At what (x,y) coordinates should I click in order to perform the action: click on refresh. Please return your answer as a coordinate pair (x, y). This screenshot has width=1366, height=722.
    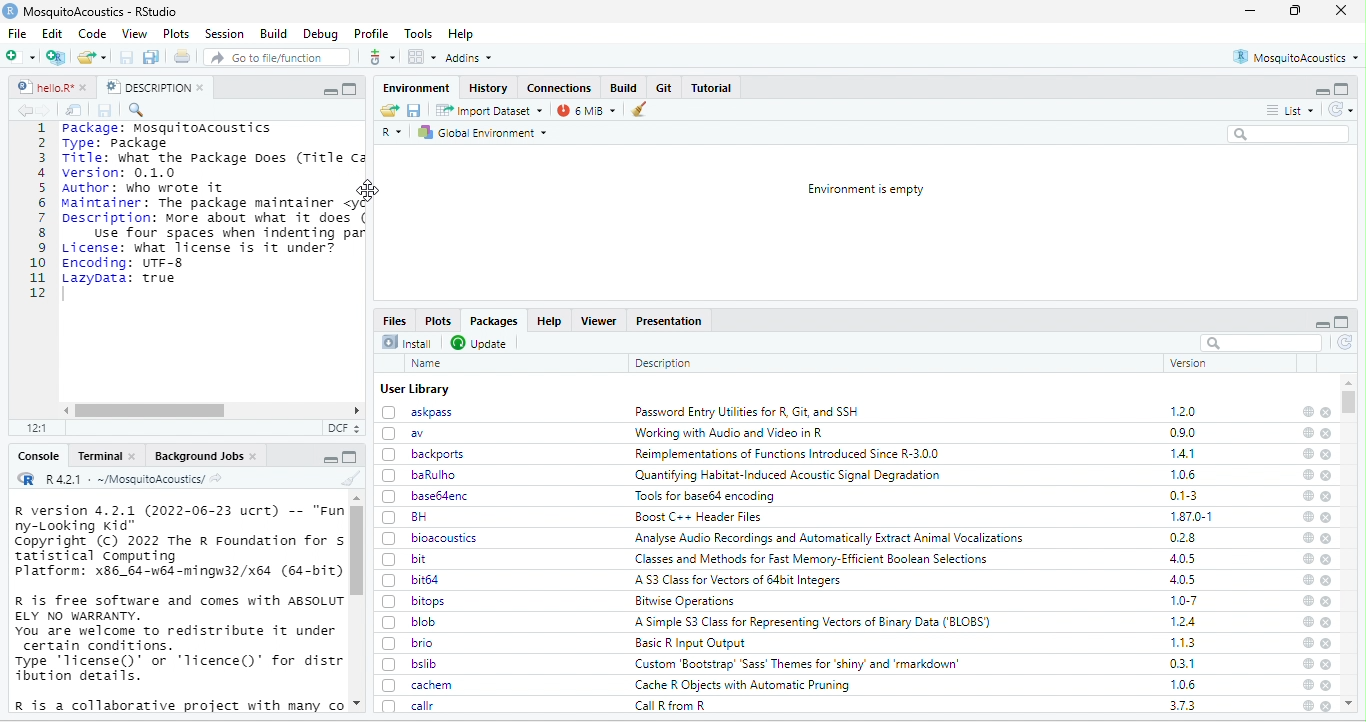
    Looking at the image, I should click on (1345, 343).